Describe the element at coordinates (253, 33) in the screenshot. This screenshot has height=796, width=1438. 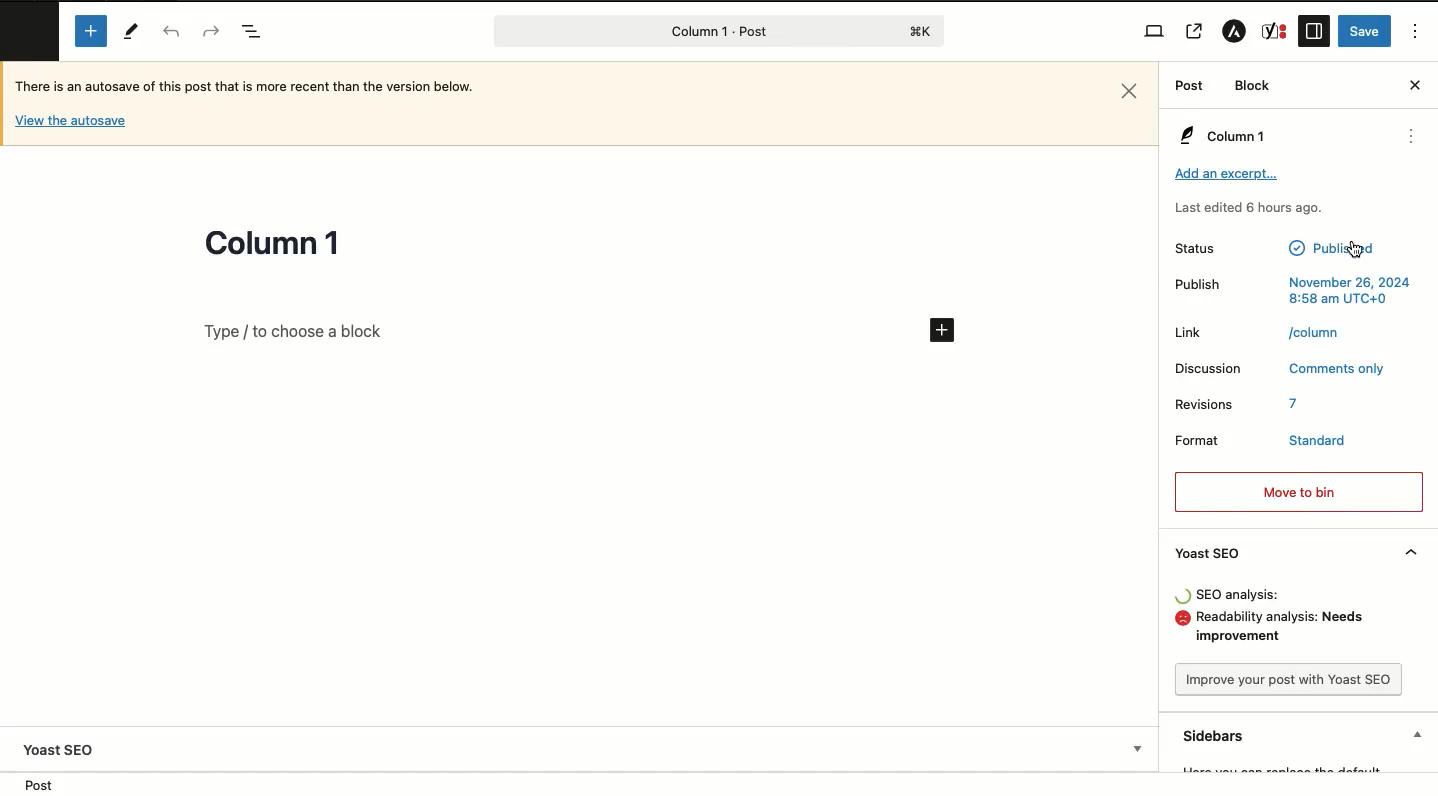
I see `Document overview` at that location.